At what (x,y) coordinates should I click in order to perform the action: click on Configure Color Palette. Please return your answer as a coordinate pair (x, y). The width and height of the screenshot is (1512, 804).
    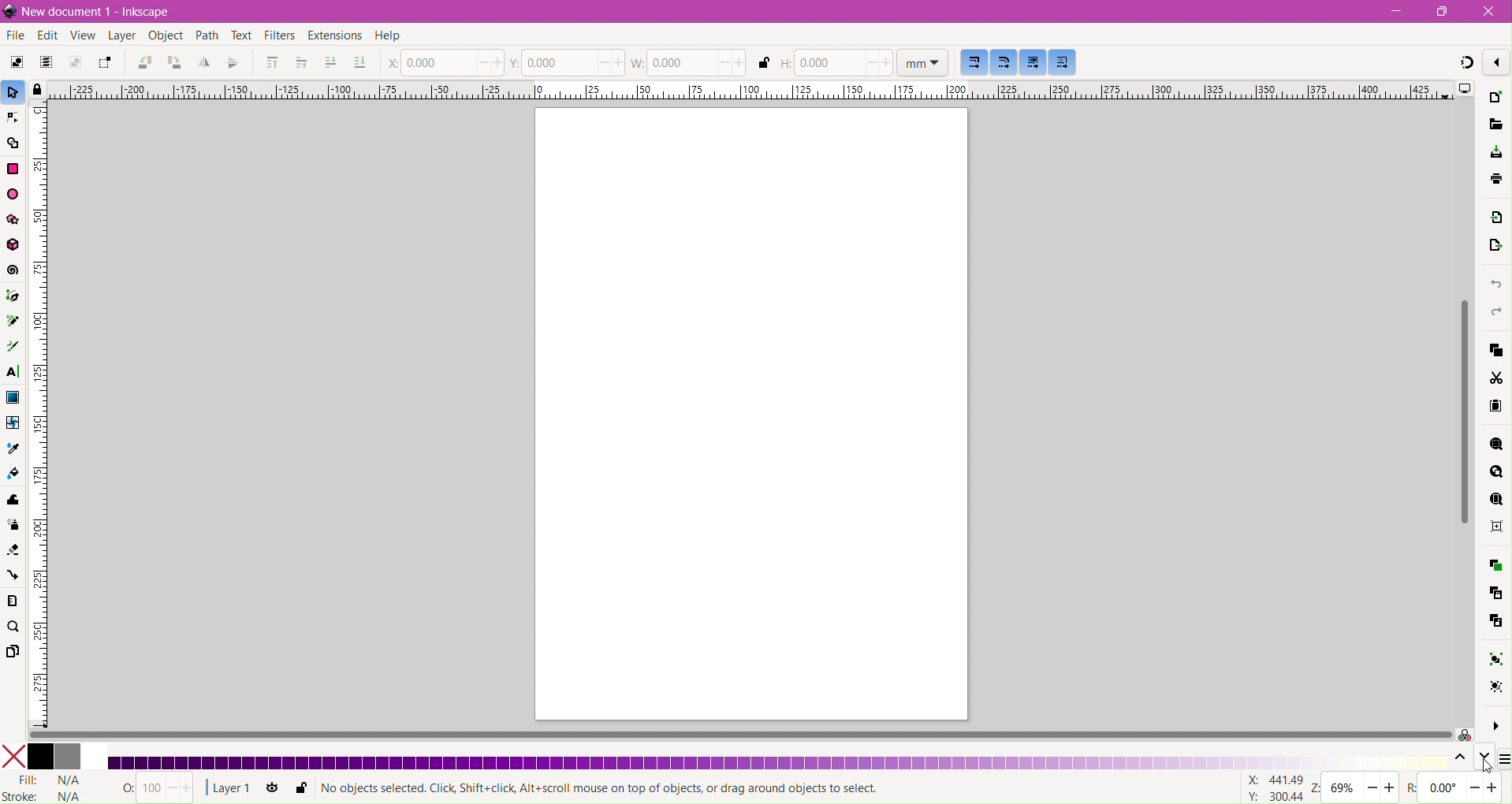
    Looking at the image, I should click on (1502, 759).